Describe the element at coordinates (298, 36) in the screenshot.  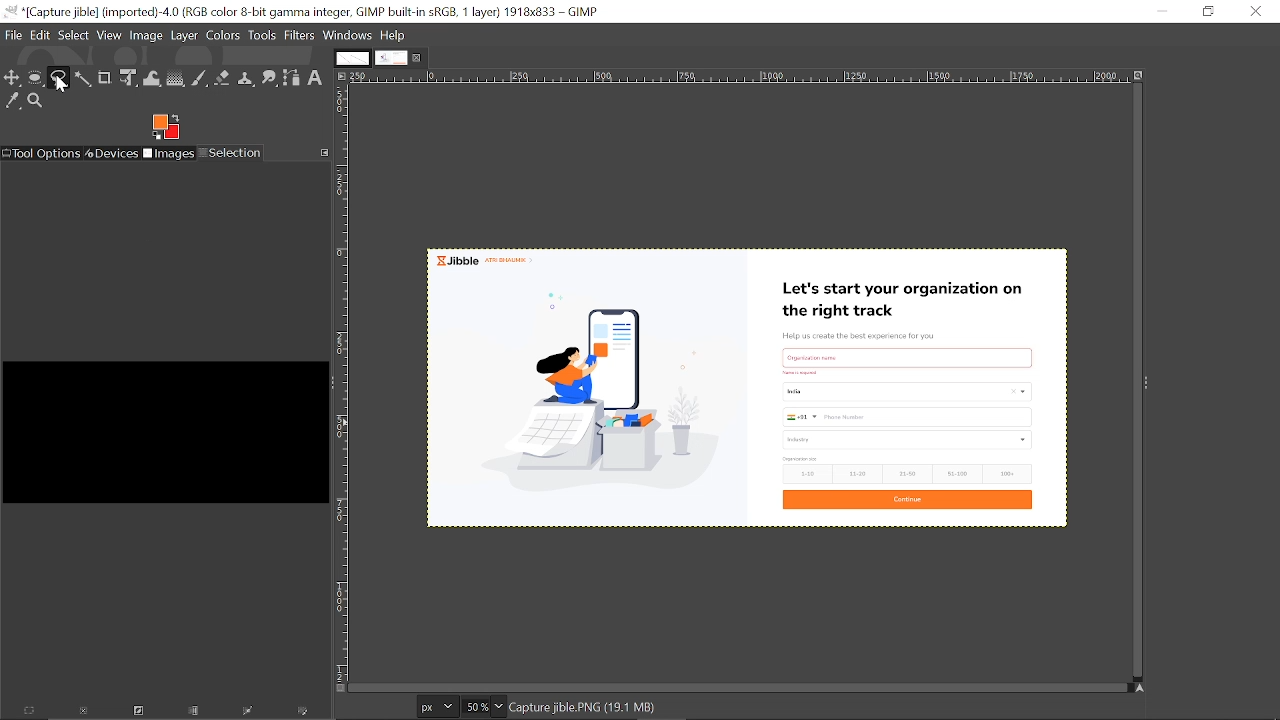
I see `Filters` at that location.